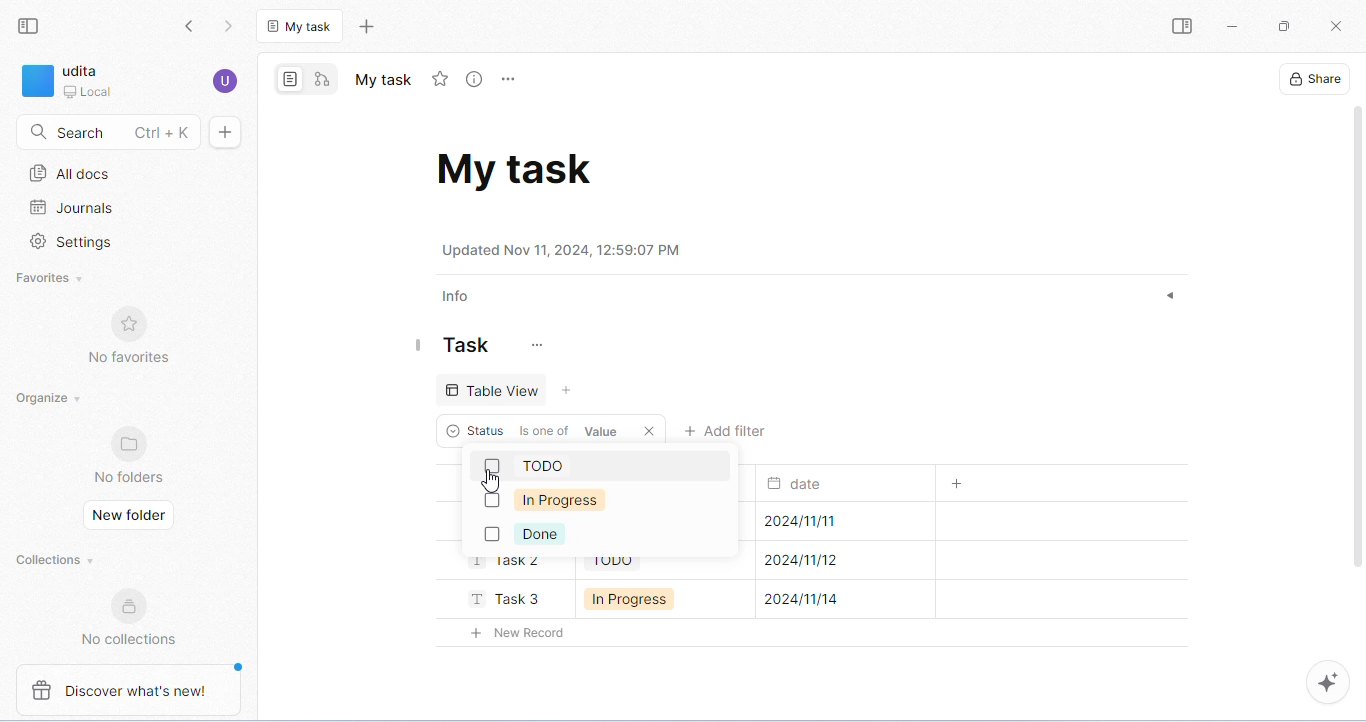 The image size is (1366, 722). What do you see at coordinates (494, 465) in the screenshot?
I see `checkbox` at bounding box center [494, 465].